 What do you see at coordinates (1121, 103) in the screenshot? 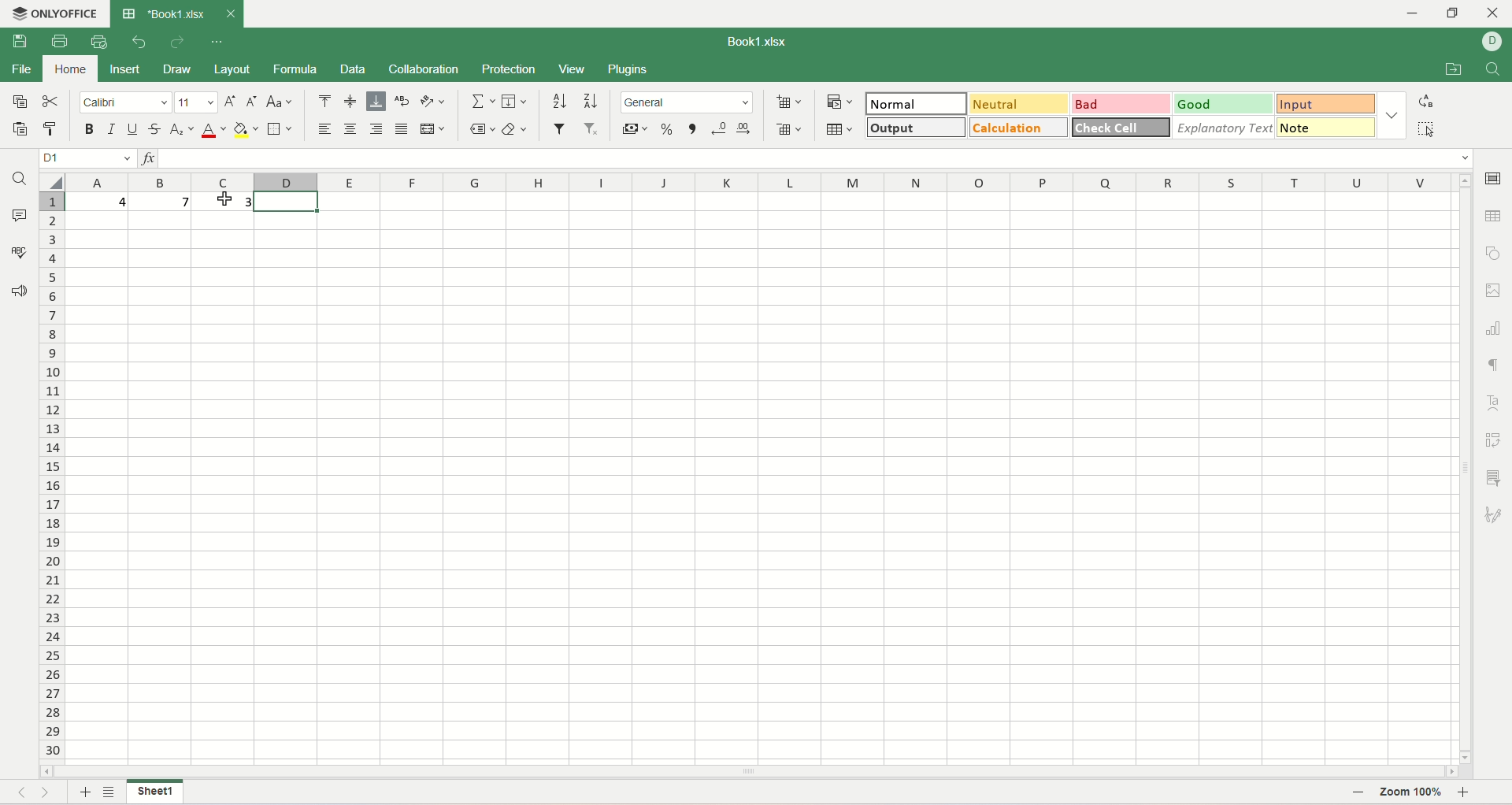
I see `bad` at bounding box center [1121, 103].